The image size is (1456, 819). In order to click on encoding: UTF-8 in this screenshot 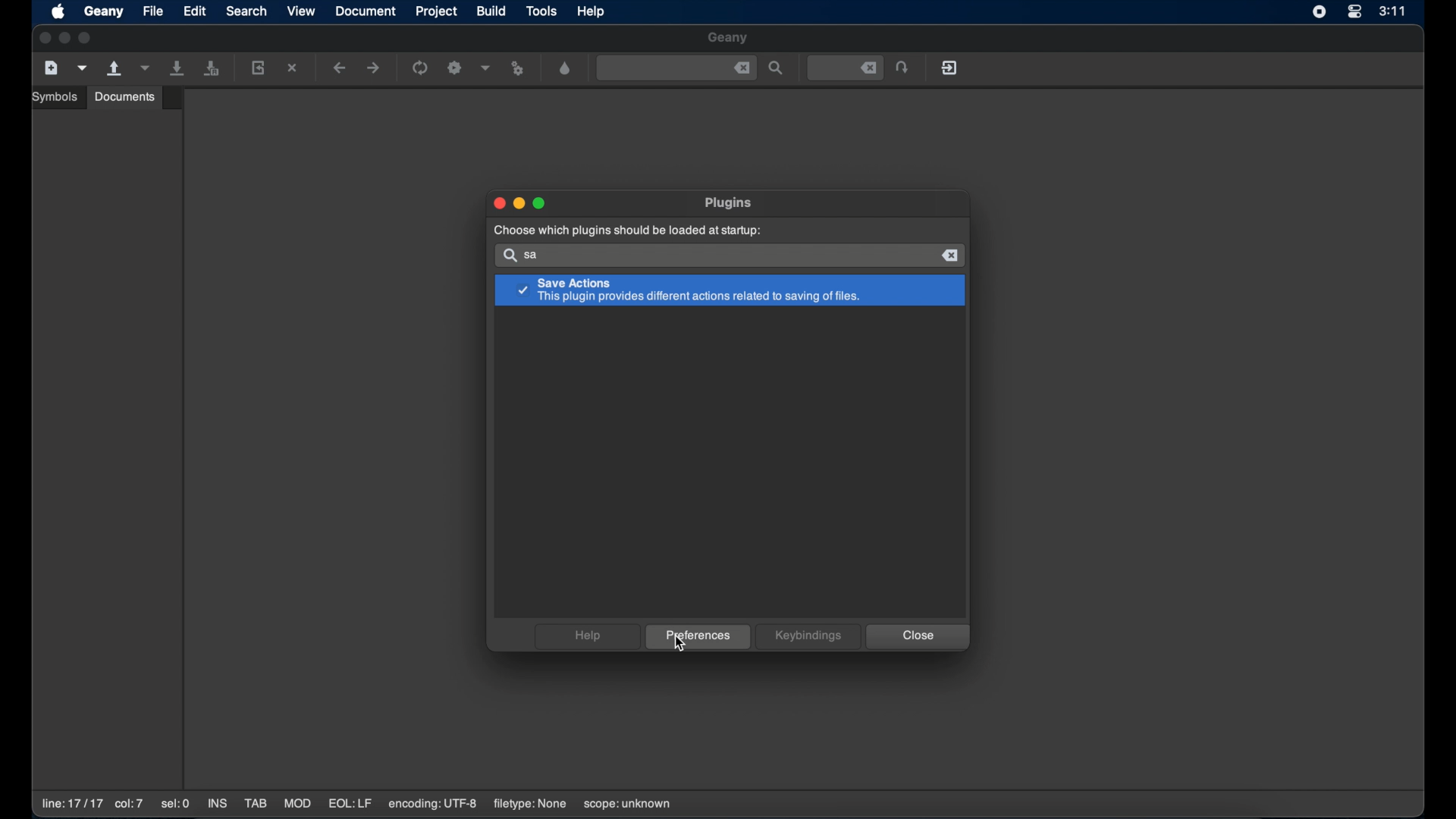, I will do `click(433, 804)`.